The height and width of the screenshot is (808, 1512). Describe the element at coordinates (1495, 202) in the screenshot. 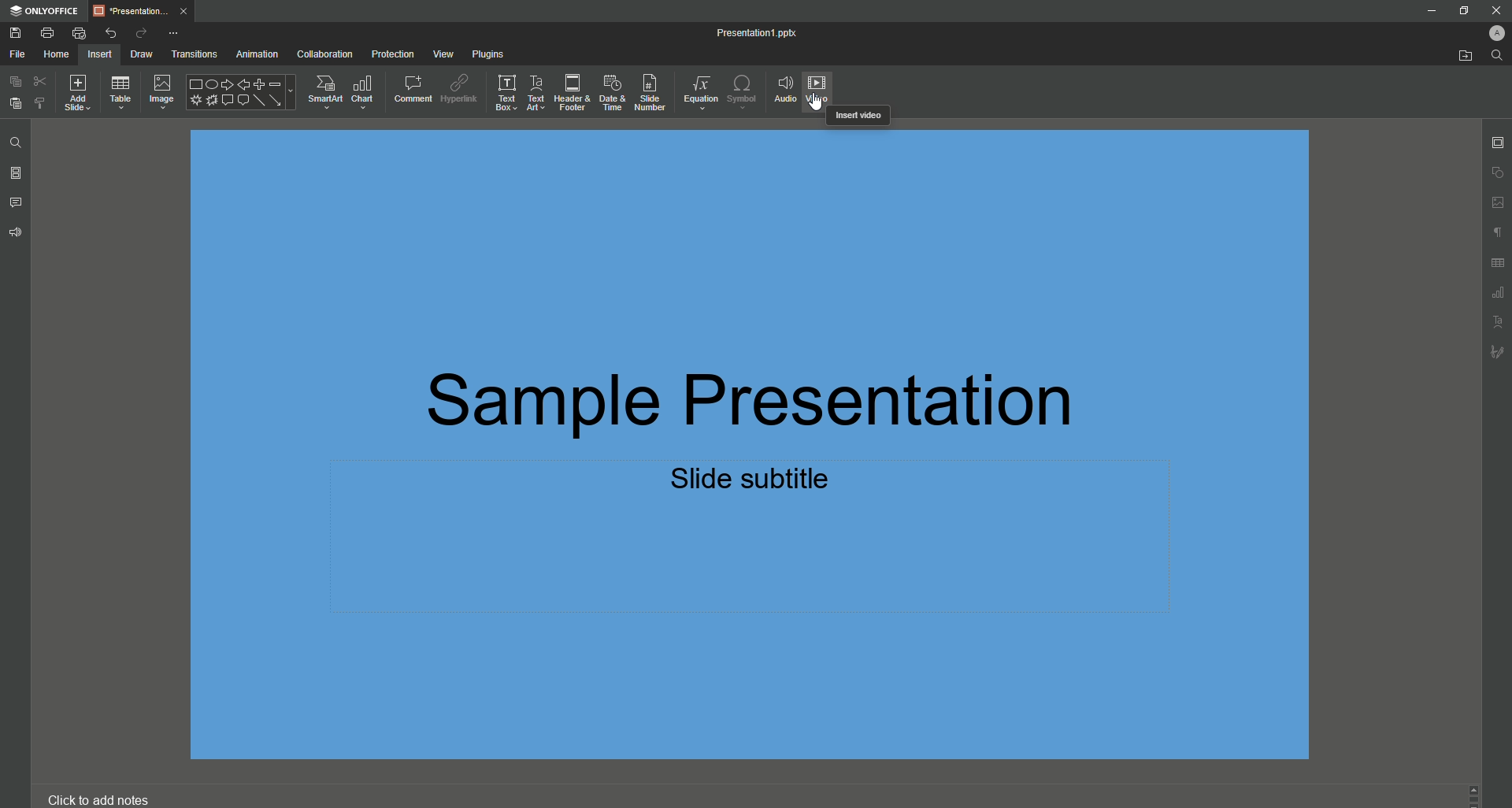

I see `Image settings` at that location.